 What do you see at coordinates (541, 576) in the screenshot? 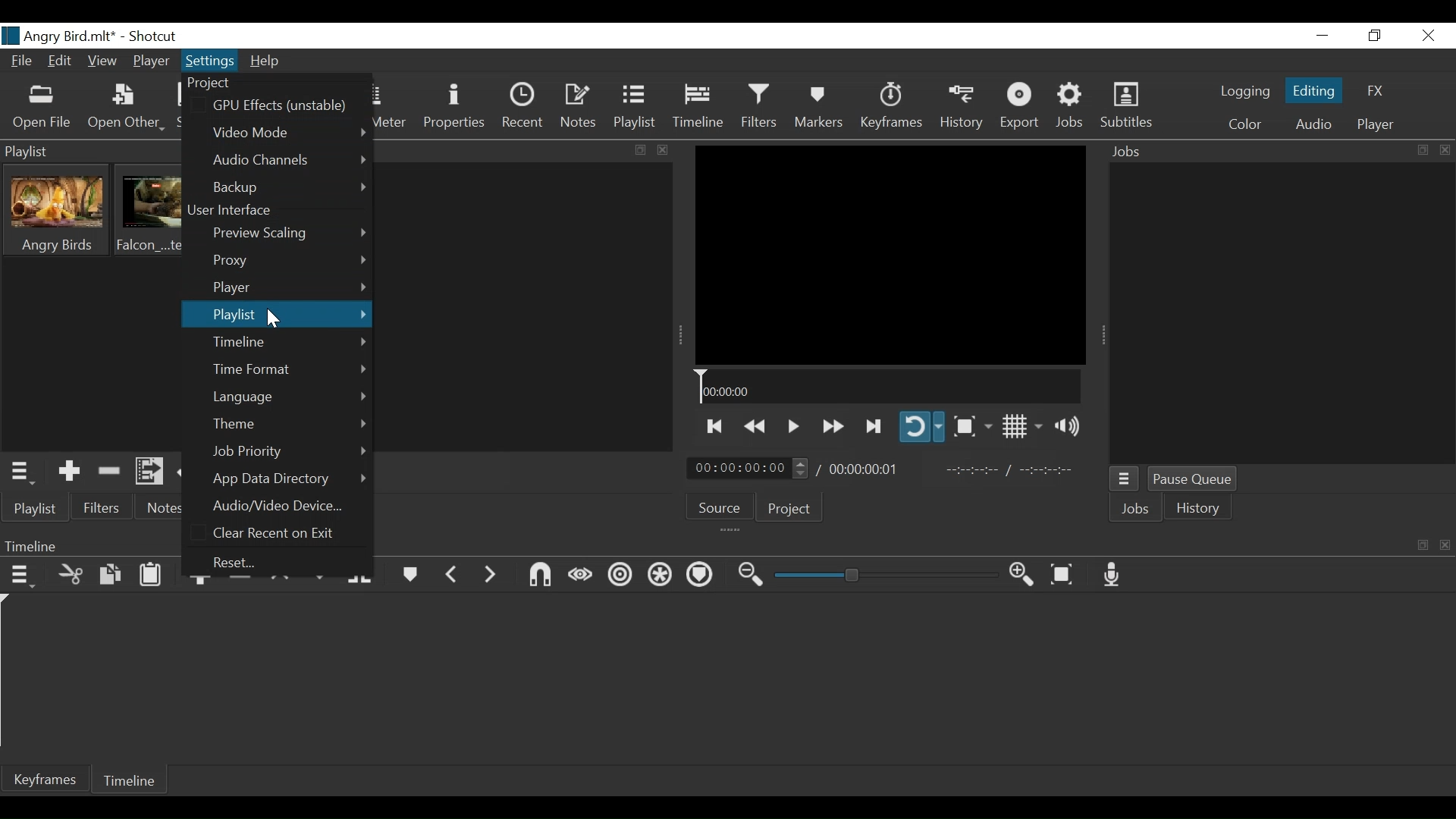
I see `Snap` at bounding box center [541, 576].